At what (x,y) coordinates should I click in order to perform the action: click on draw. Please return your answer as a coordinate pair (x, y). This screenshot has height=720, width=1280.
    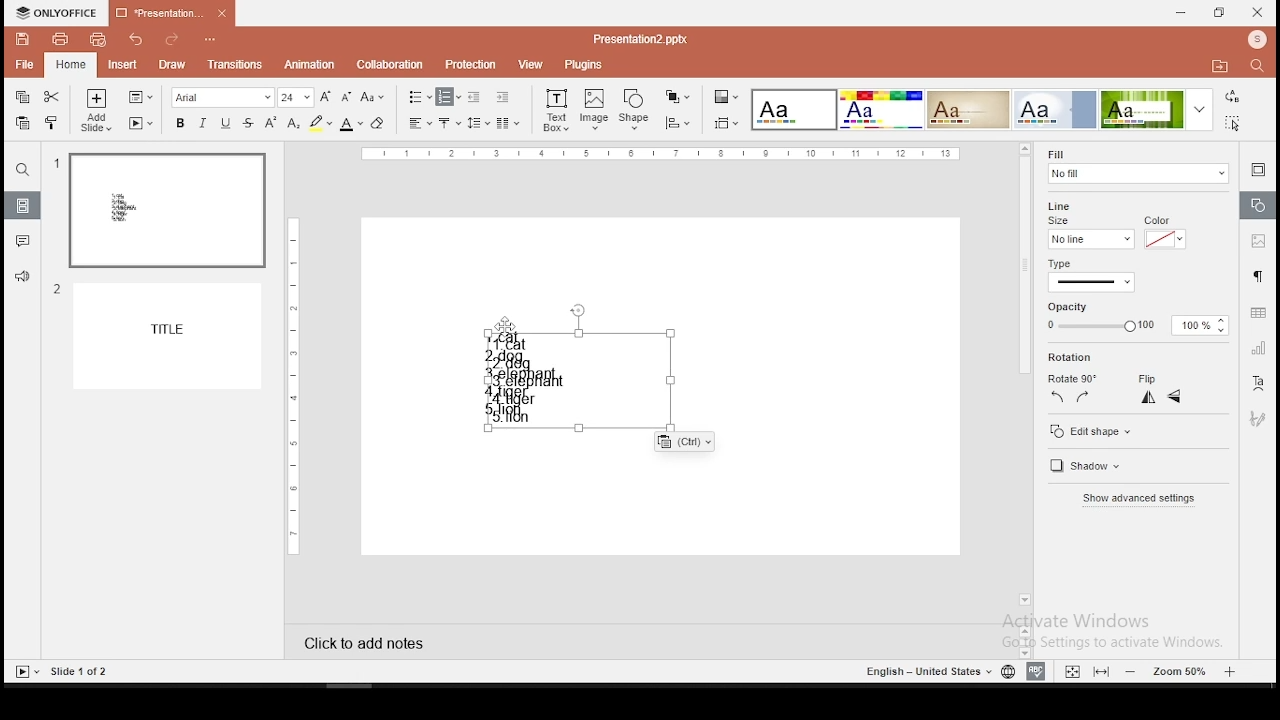
    Looking at the image, I should click on (172, 66).